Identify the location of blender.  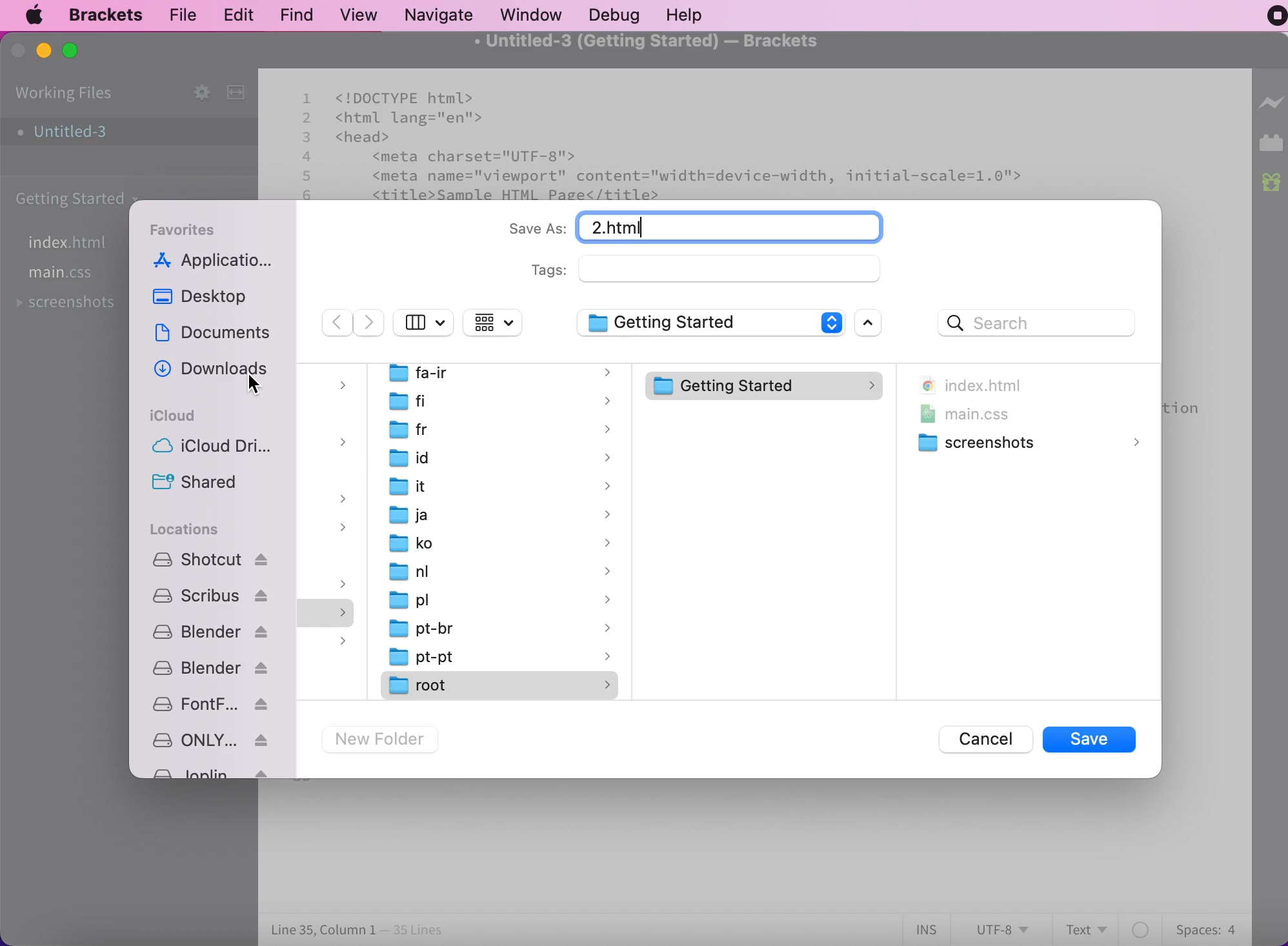
(210, 668).